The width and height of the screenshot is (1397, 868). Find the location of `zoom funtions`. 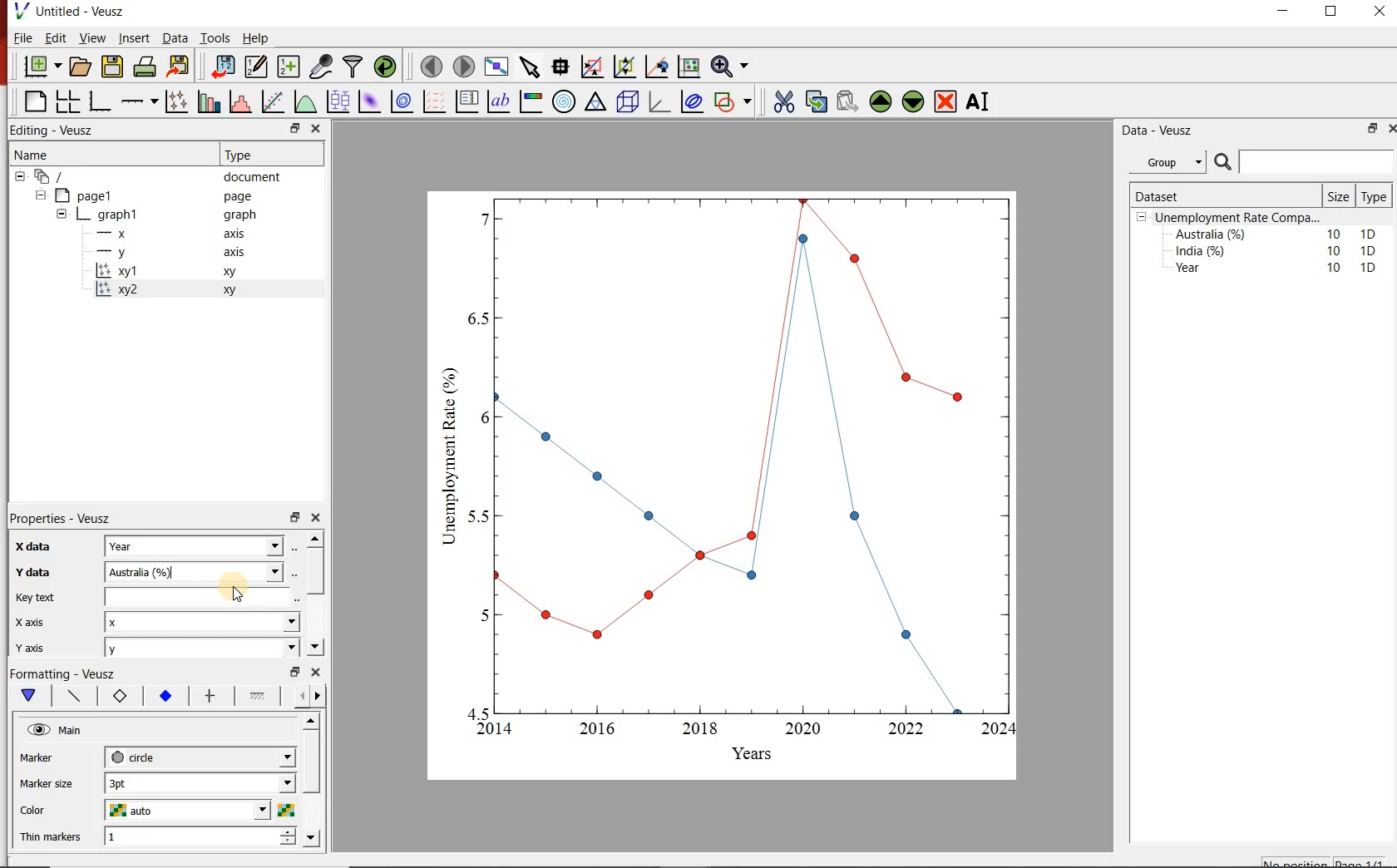

zoom funtions is located at coordinates (733, 65).